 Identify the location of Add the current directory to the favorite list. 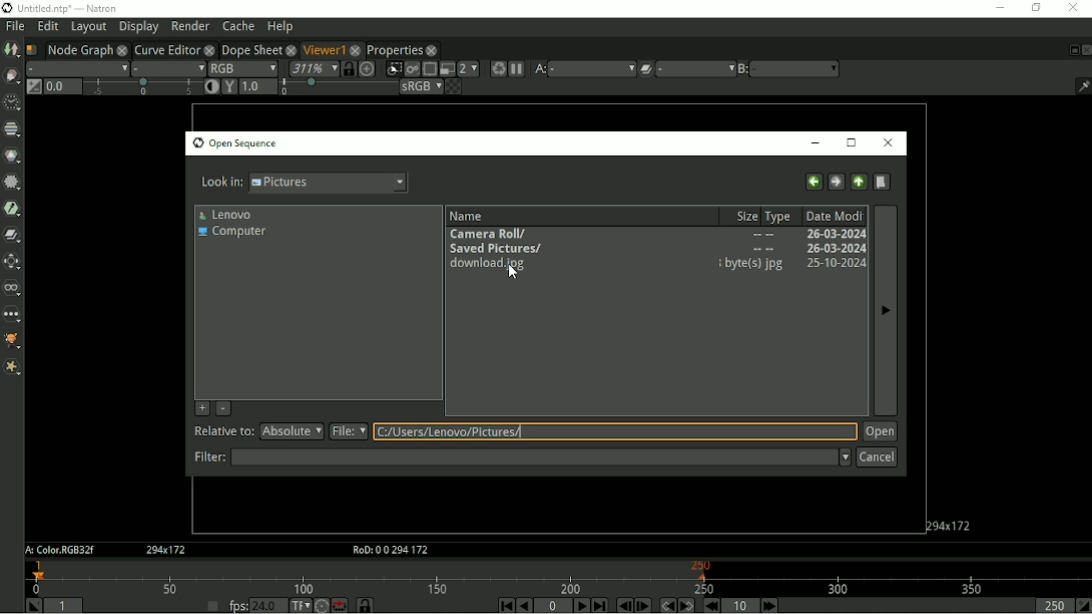
(202, 409).